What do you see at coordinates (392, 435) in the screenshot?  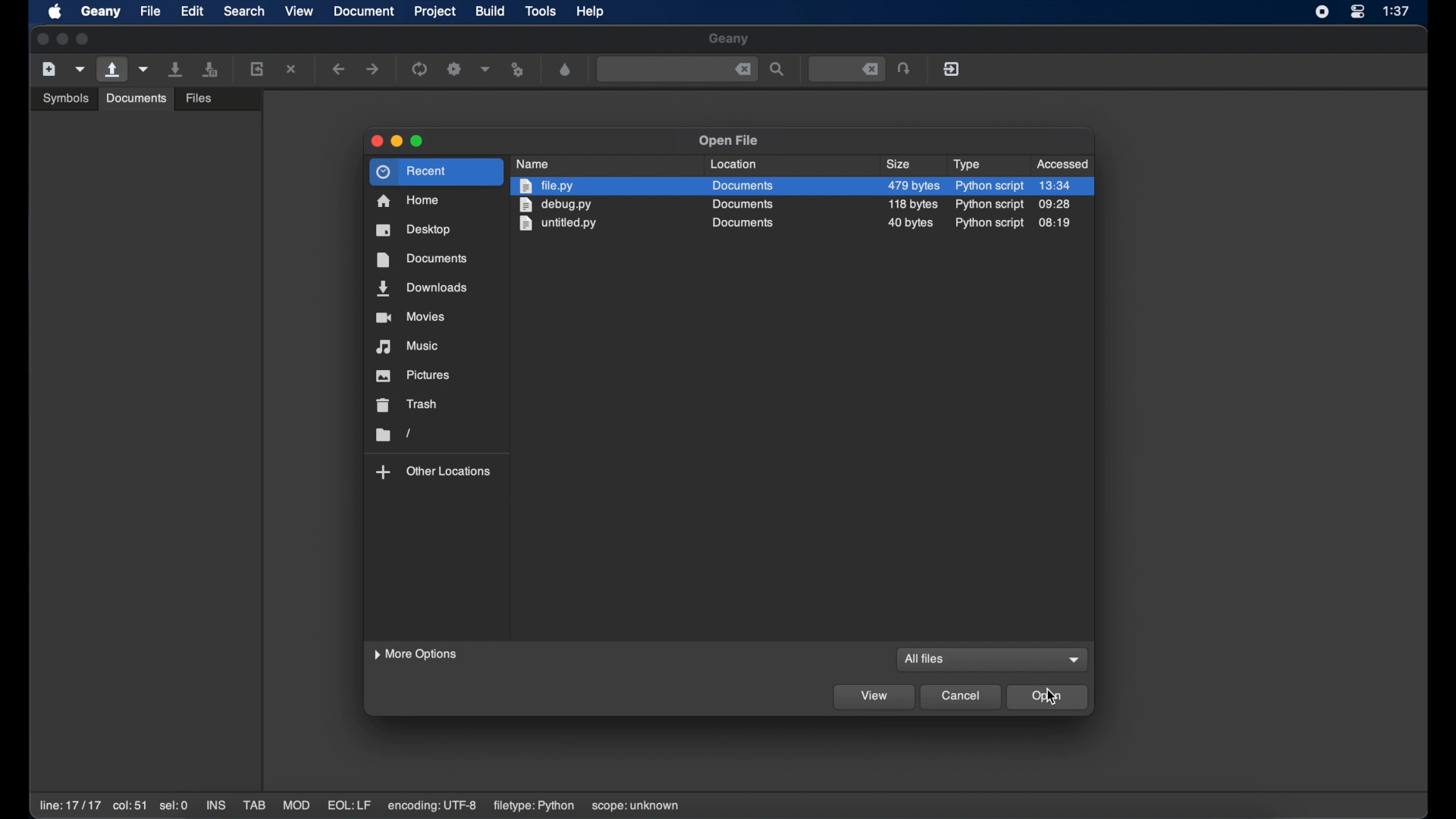 I see `folder` at bounding box center [392, 435].